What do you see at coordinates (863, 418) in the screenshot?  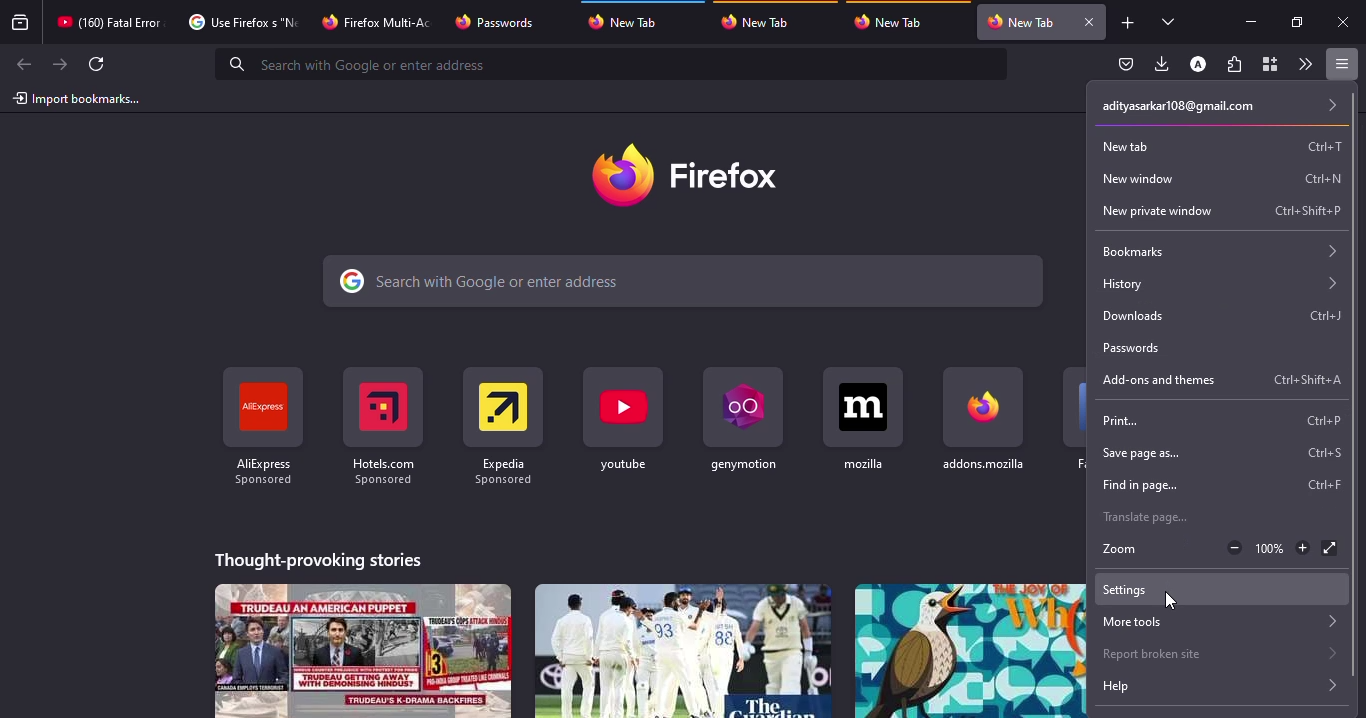 I see `shortcut` at bounding box center [863, 418].